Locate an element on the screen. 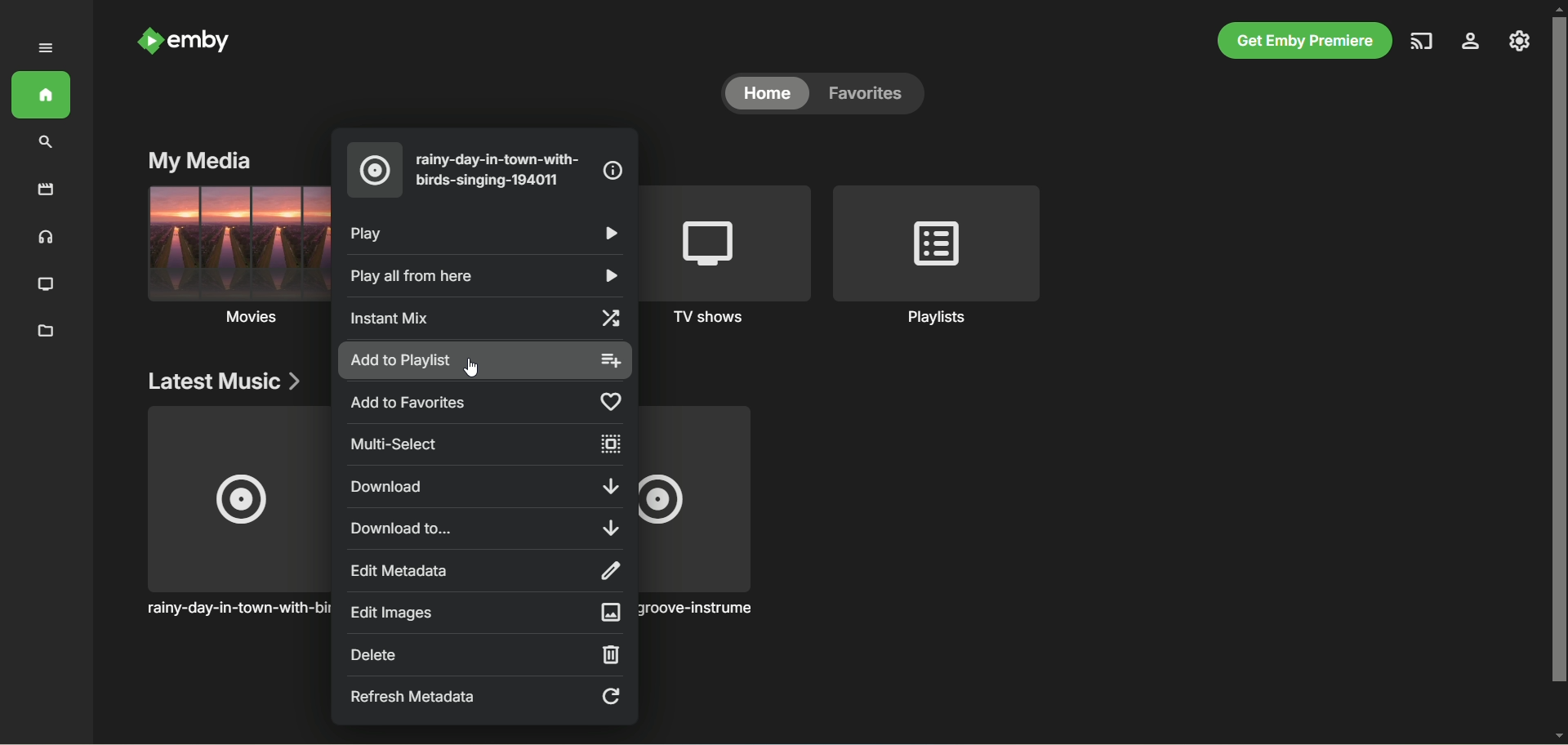 The height and width of the screenshot is (745, 1568). music album is located at coordinates (699, 511).